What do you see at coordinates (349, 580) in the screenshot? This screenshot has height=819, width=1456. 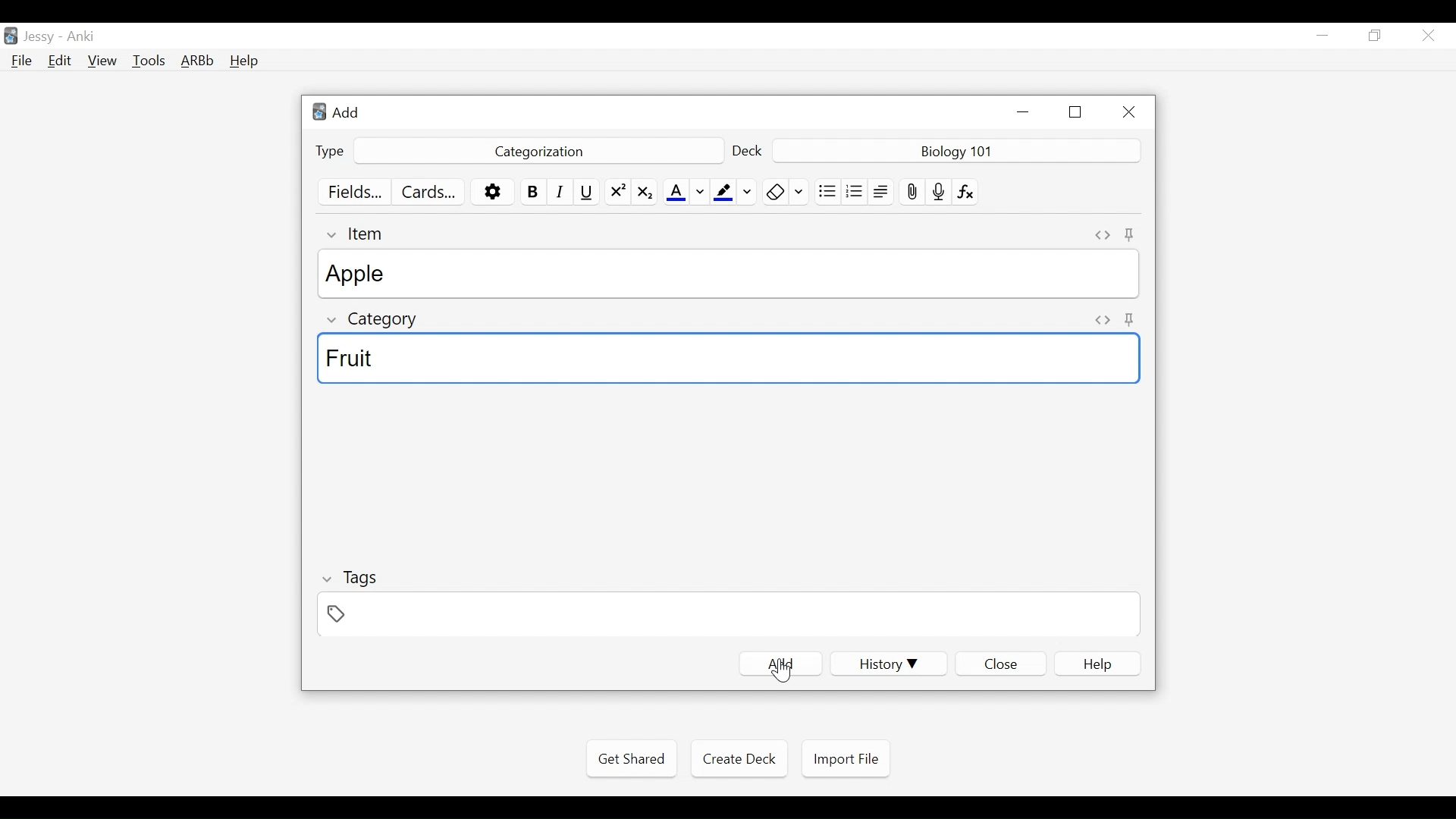 I see `Tags` at bounding box center [349, 580].